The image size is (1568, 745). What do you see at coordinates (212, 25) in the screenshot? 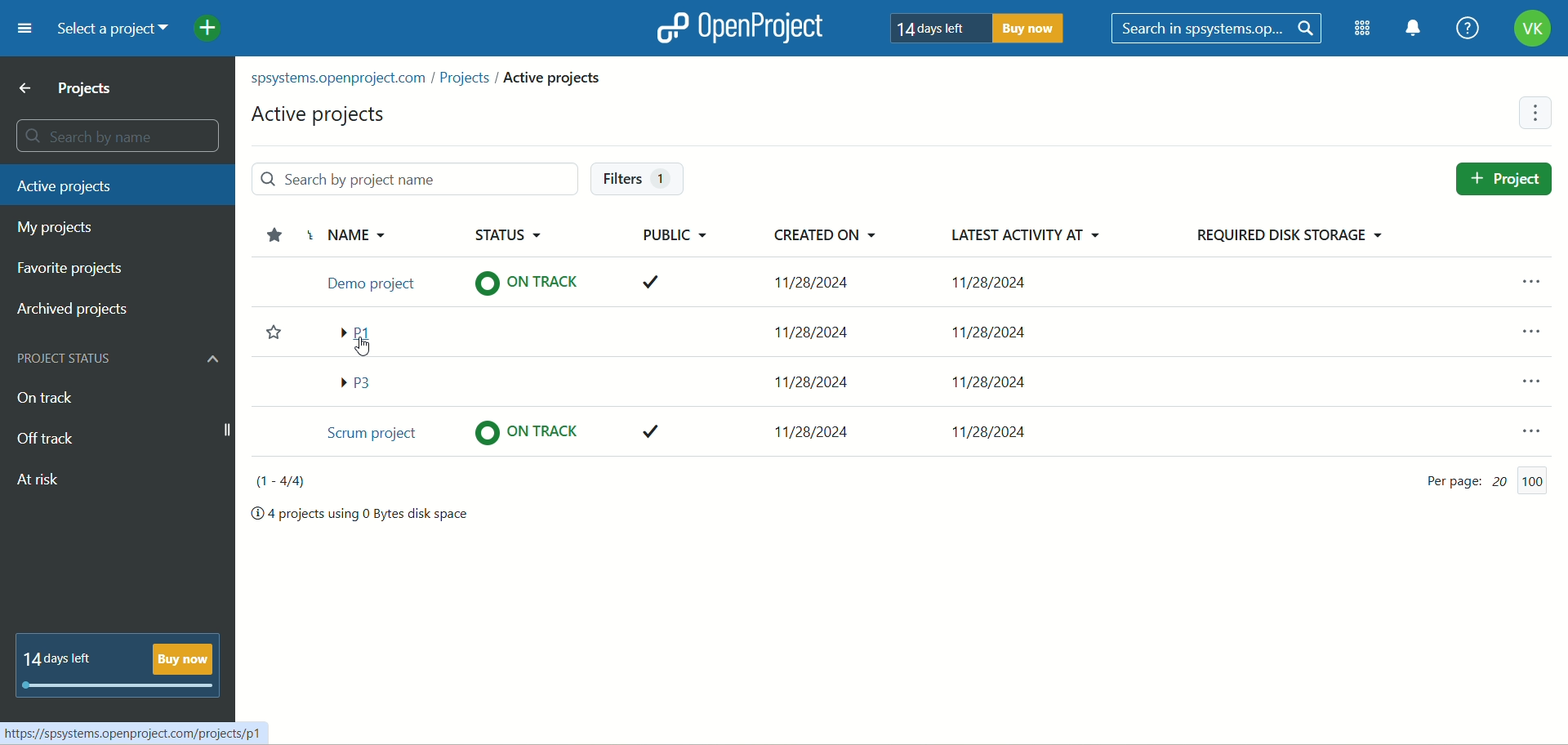
I see `add project` at bounding box center [212, 25].